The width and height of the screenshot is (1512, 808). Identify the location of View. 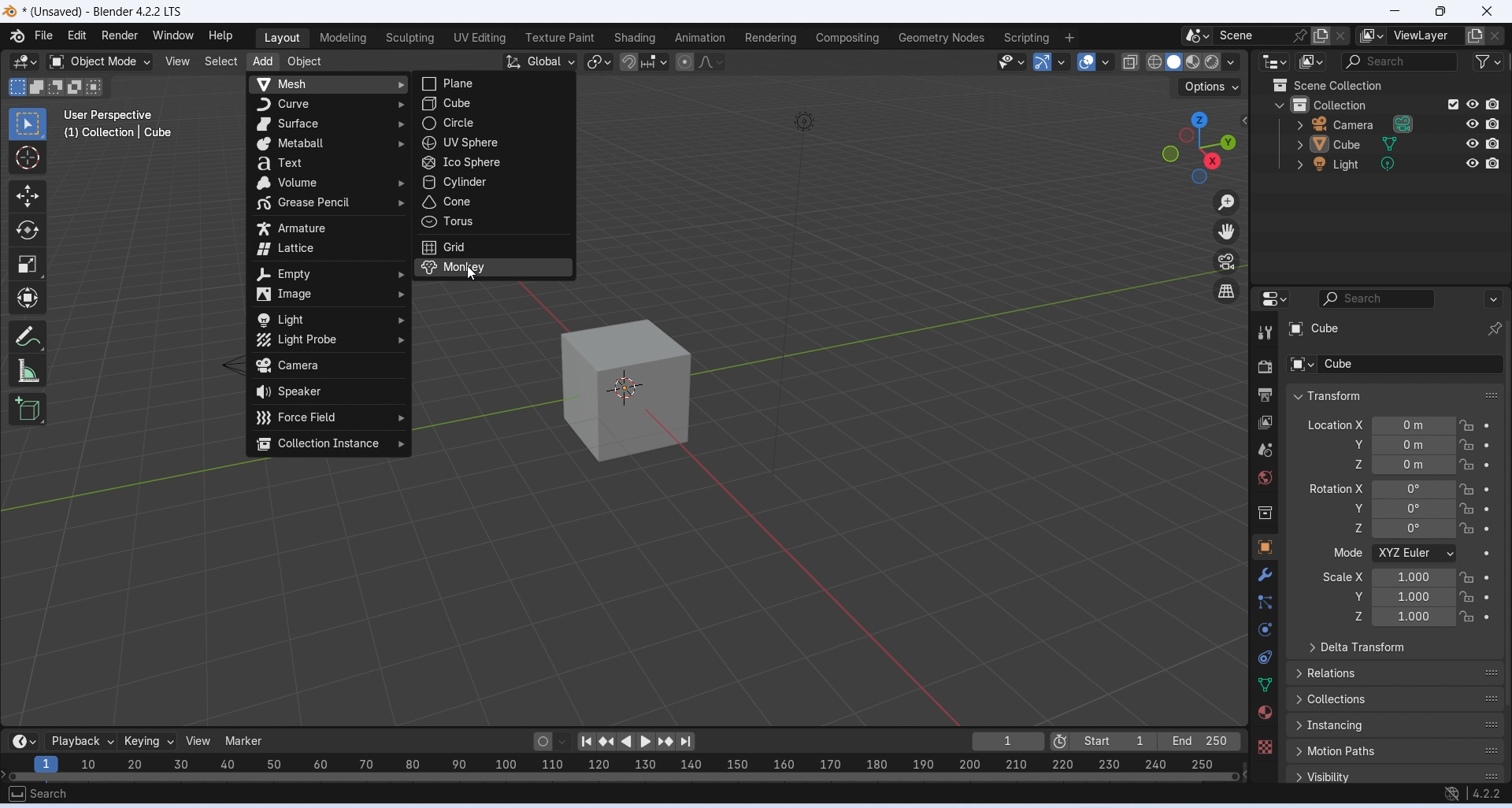
(177, 61).